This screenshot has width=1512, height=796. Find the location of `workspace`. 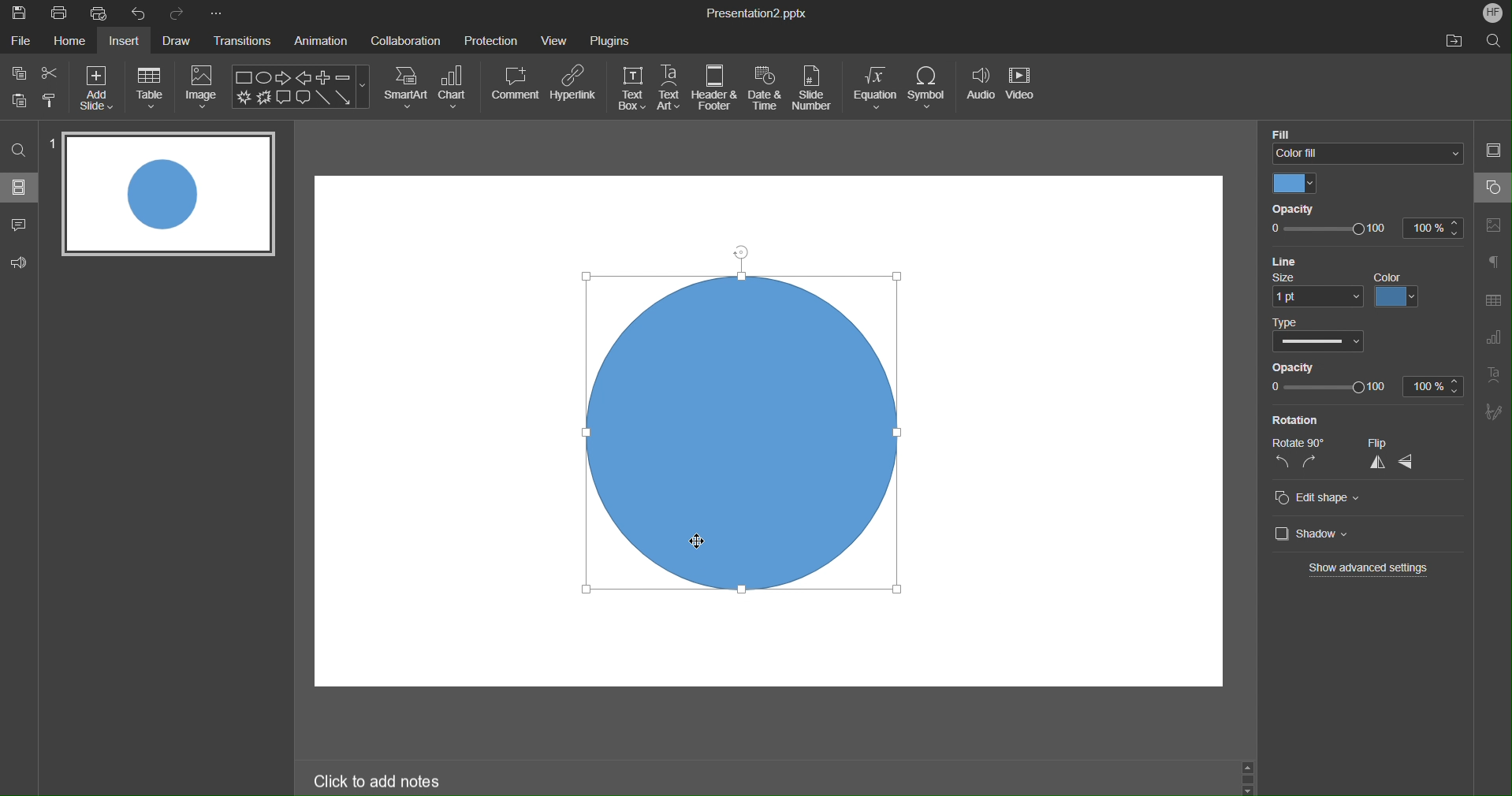

workspace is located at coordinates (430, 431).